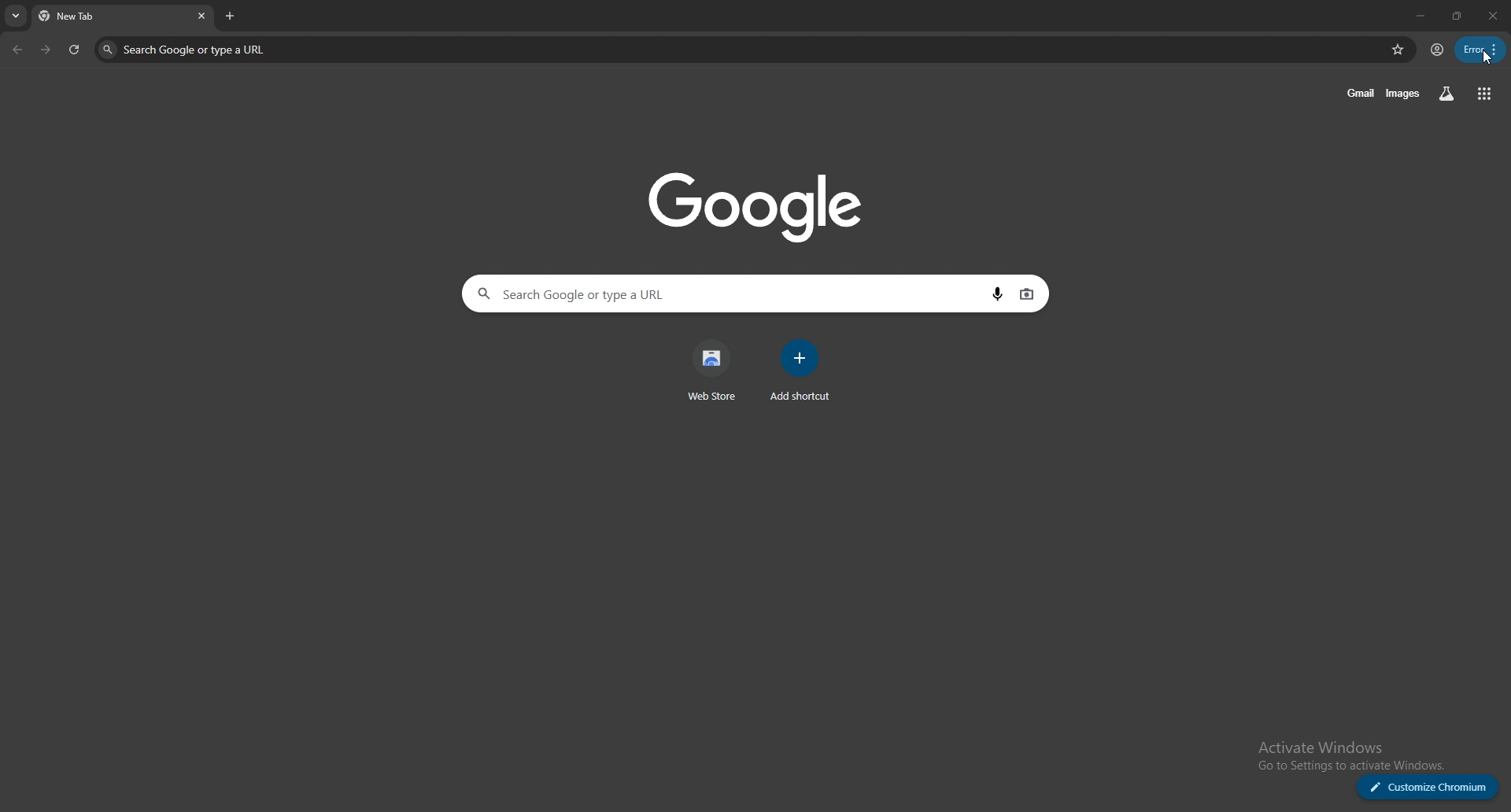 This screenshot has height=812, width=1511. What do you see at coordinates (716, 295) in the screenshot?
I see `search bar` at bounding box center [716, 295].